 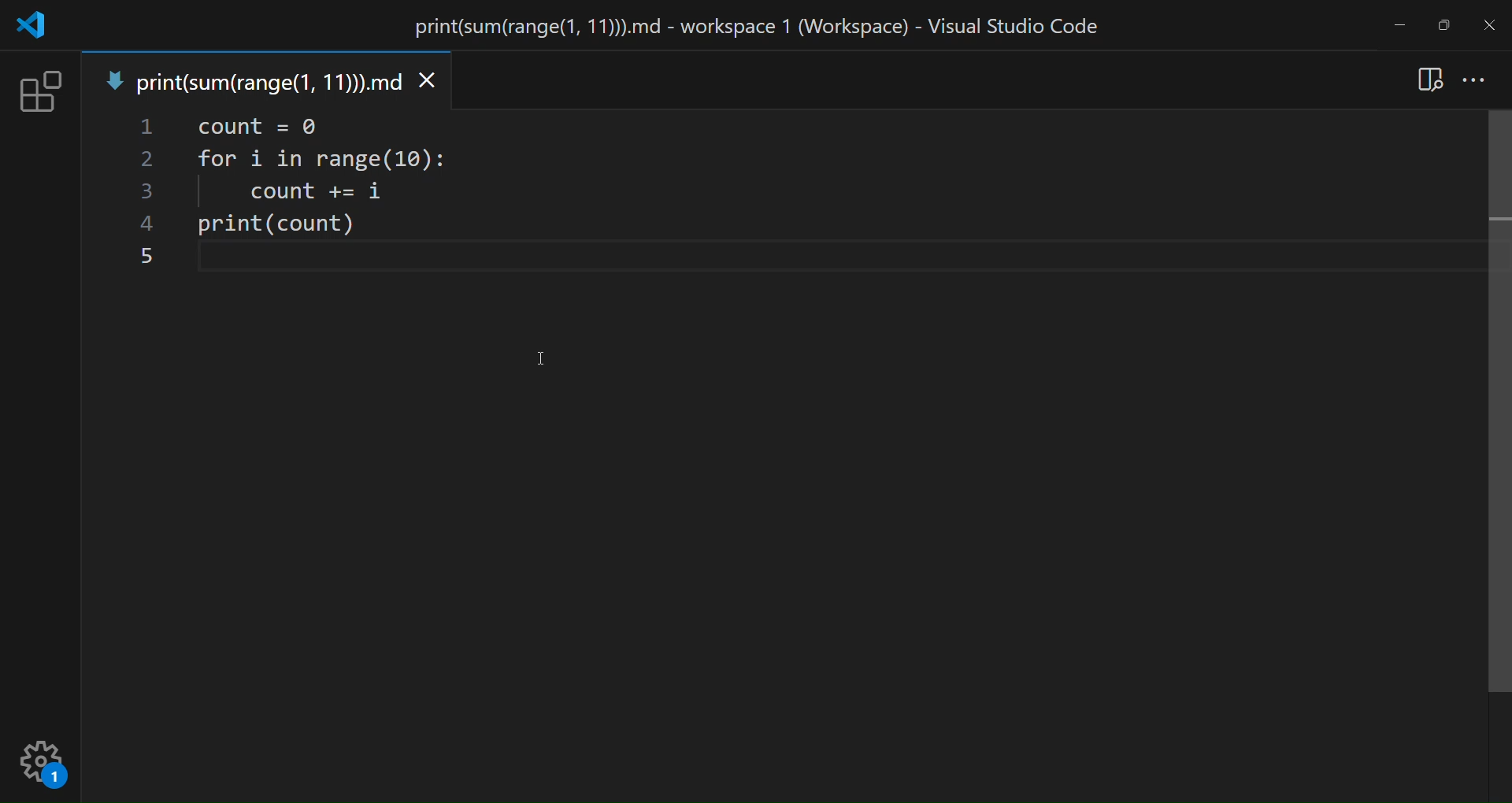 I want to click on minimize, so click(x=1399, y=24).